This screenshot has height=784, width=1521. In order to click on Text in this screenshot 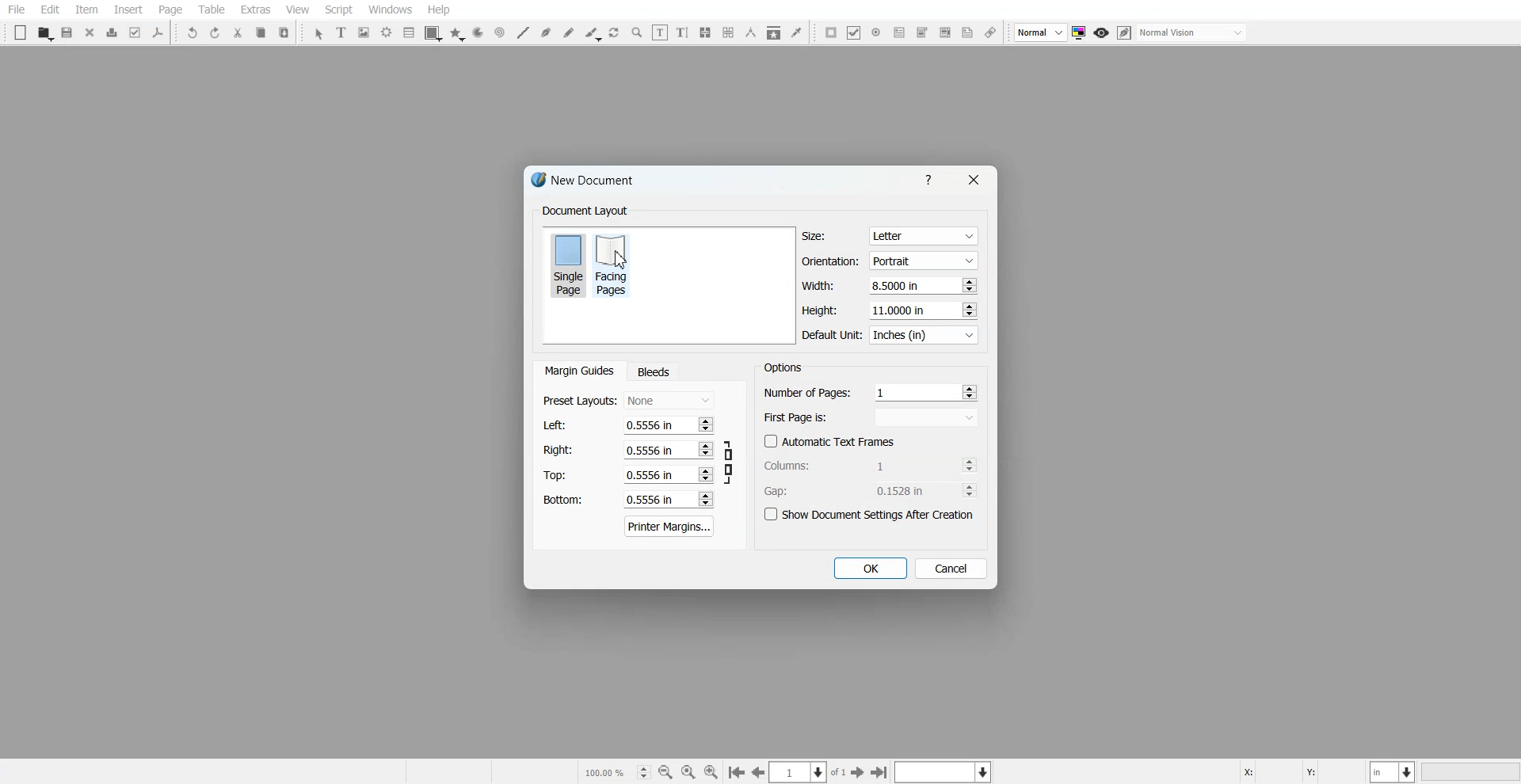, I will do `click(589, 182)`.